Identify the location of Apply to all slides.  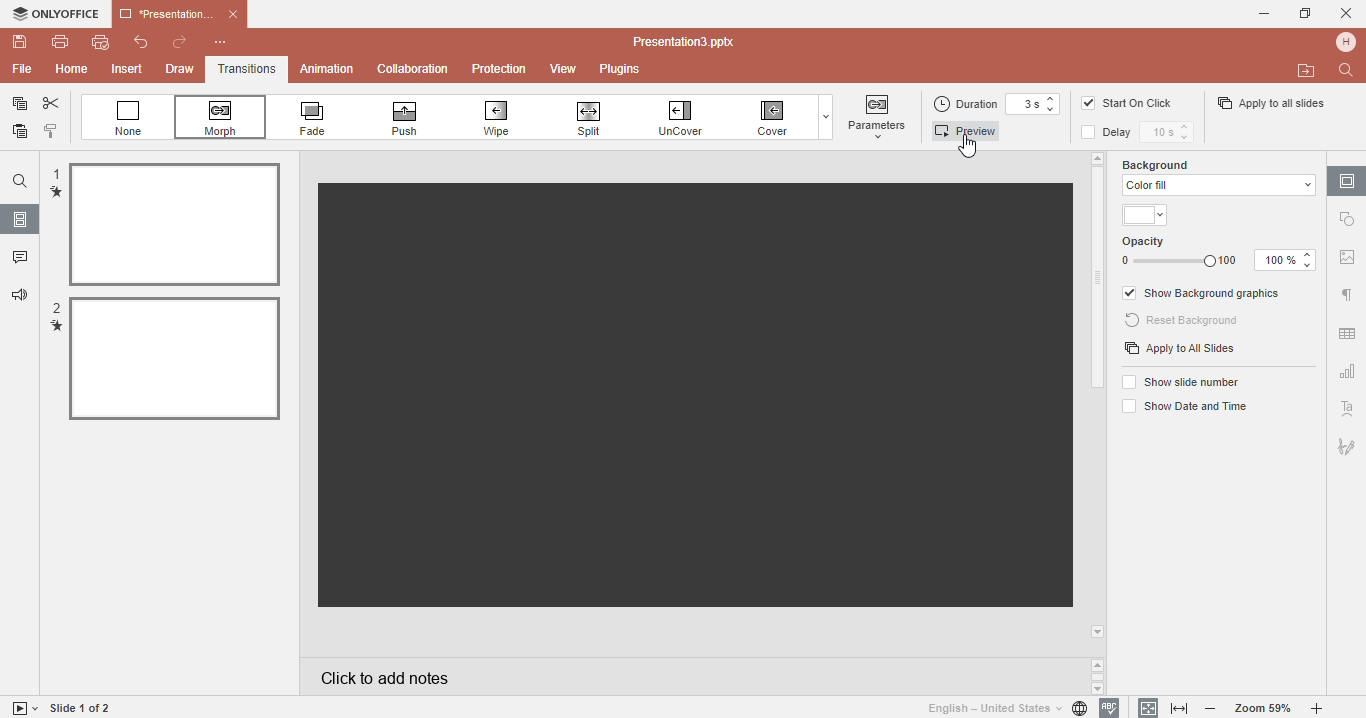
(1270, 103).